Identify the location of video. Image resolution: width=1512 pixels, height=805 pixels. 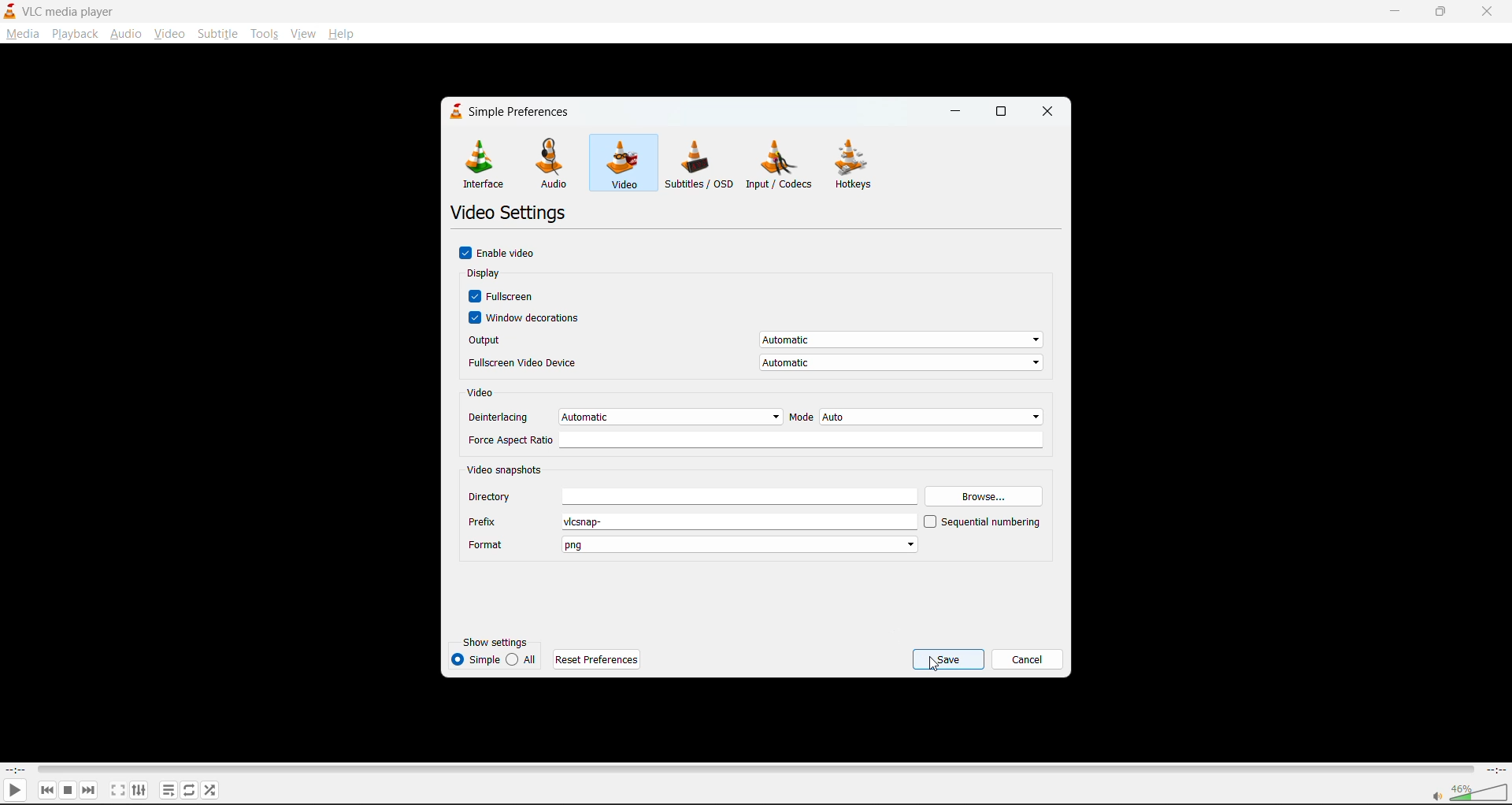
(482, 394).